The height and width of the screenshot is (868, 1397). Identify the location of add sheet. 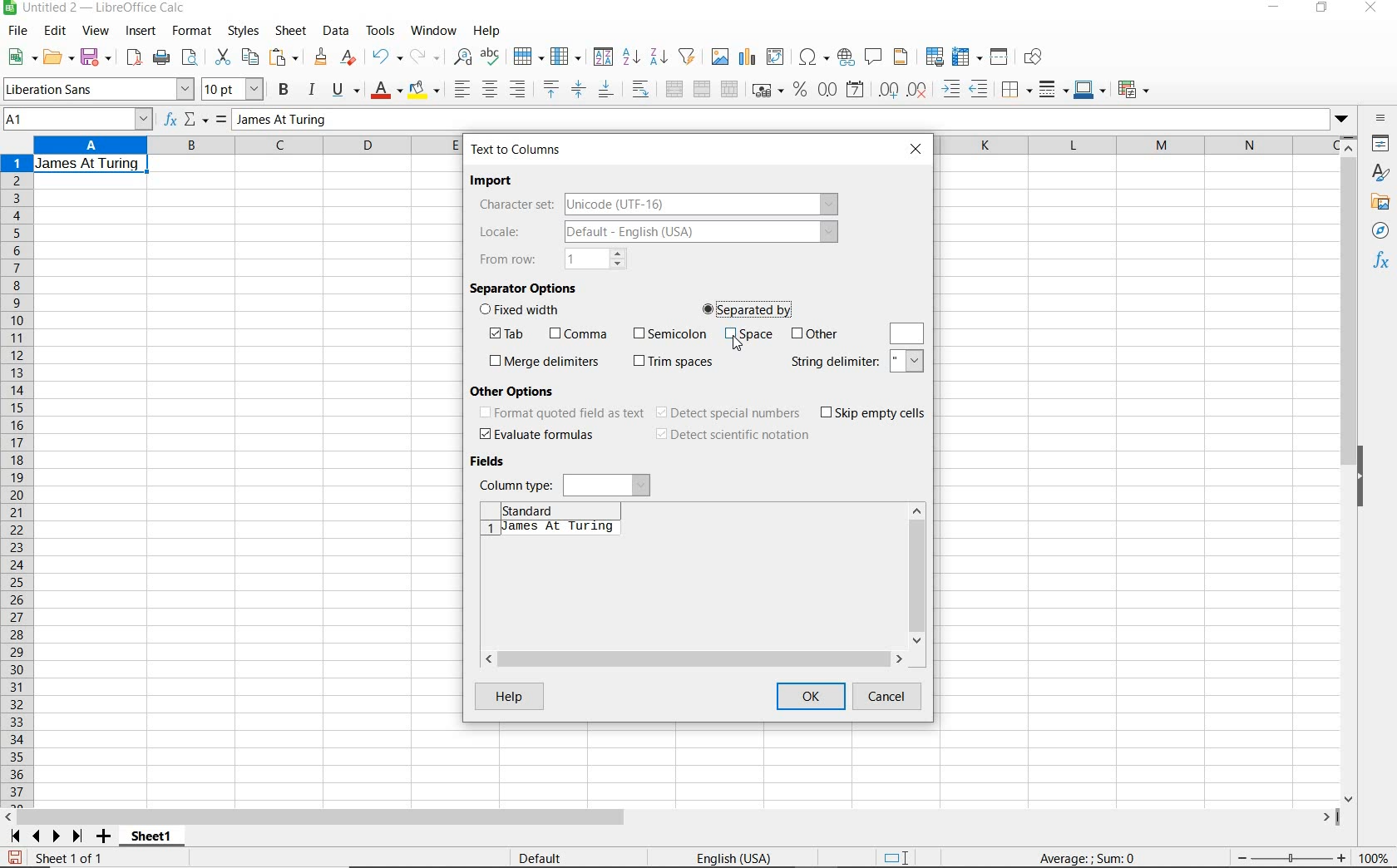
(101, 837).